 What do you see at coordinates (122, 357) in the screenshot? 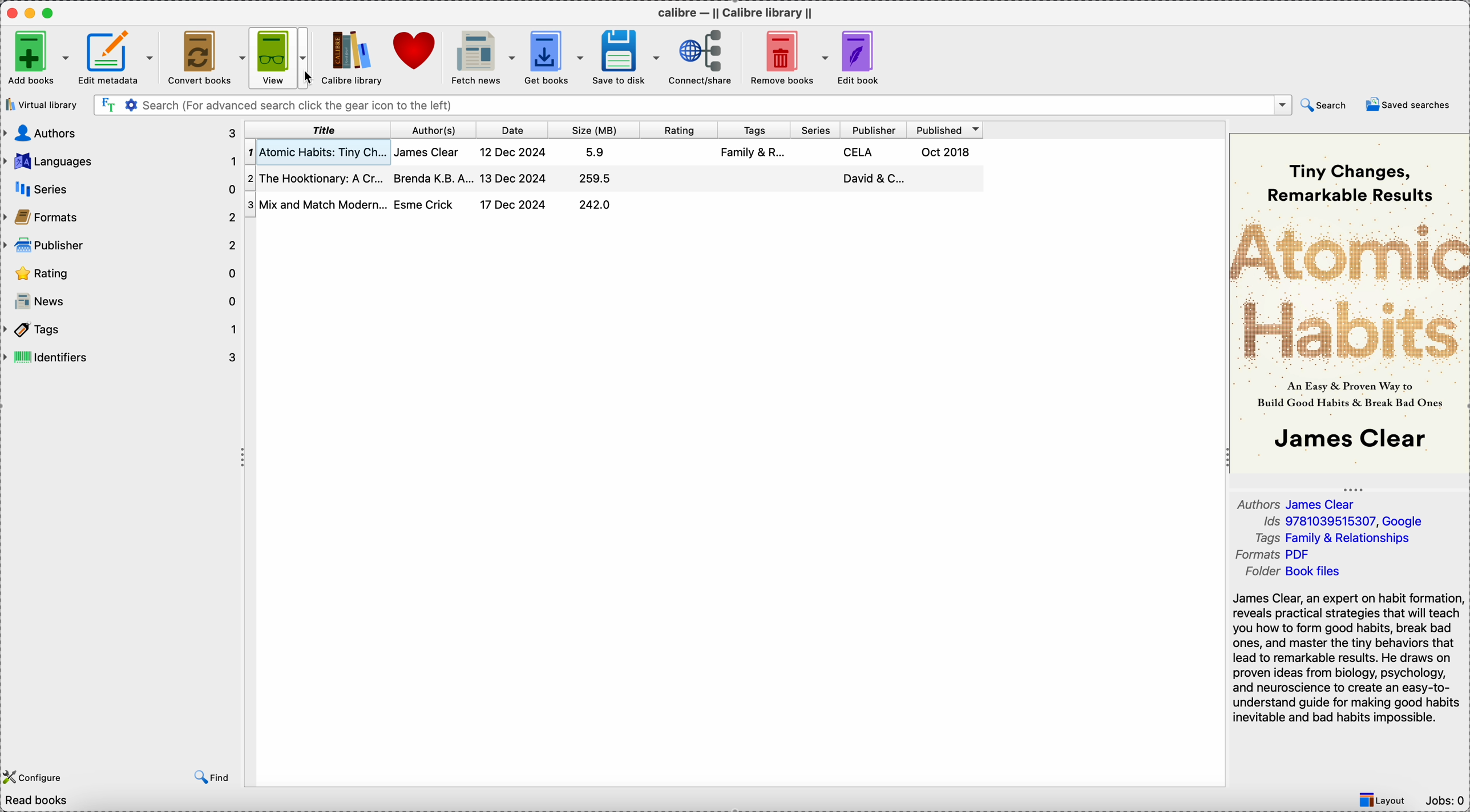
I see `identifiers` at bounding box center [122, 357].